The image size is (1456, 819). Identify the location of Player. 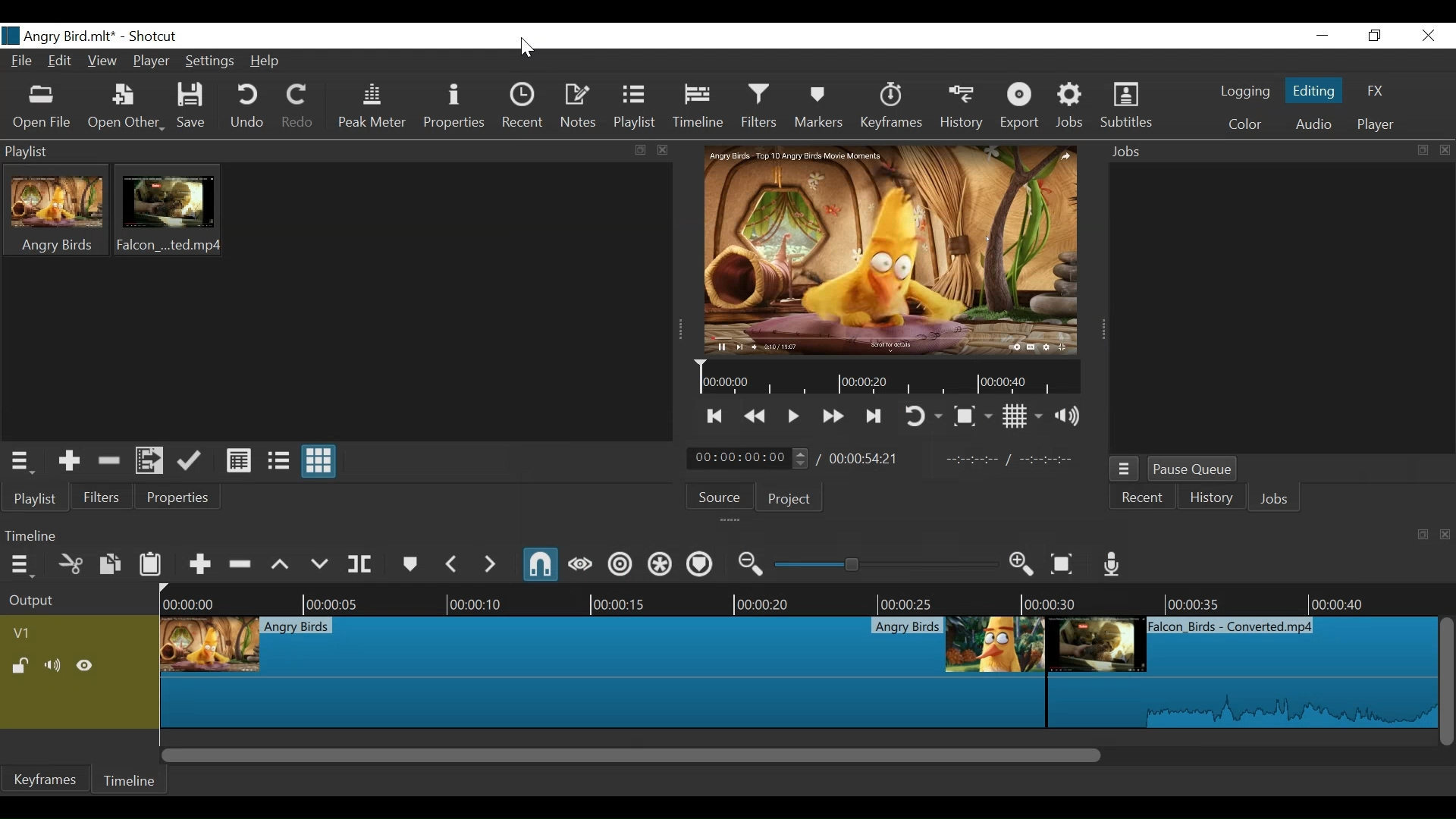
(152, 62).